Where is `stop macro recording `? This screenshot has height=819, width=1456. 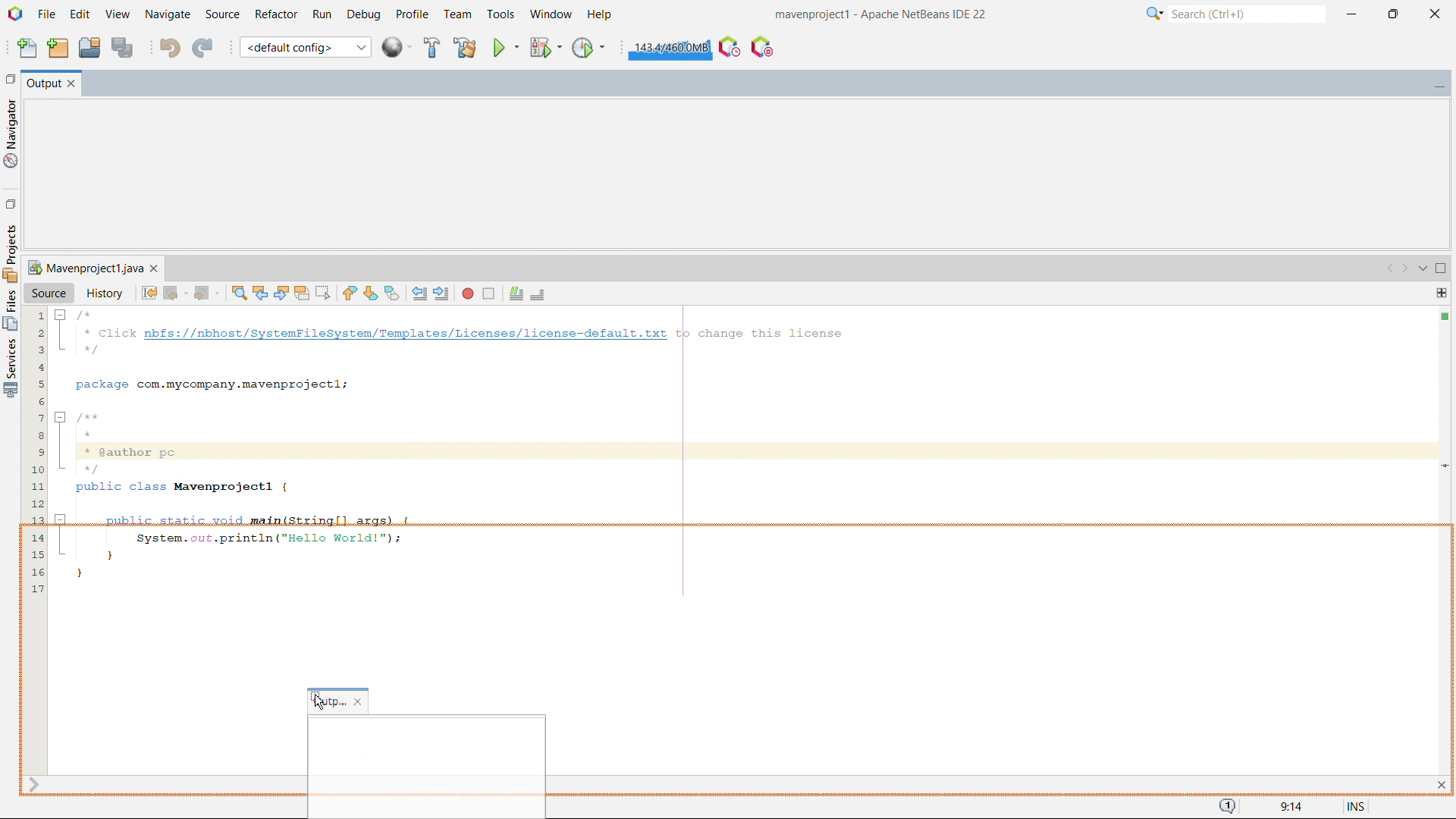
stop macro recording  is located at coordinates (488, 293).